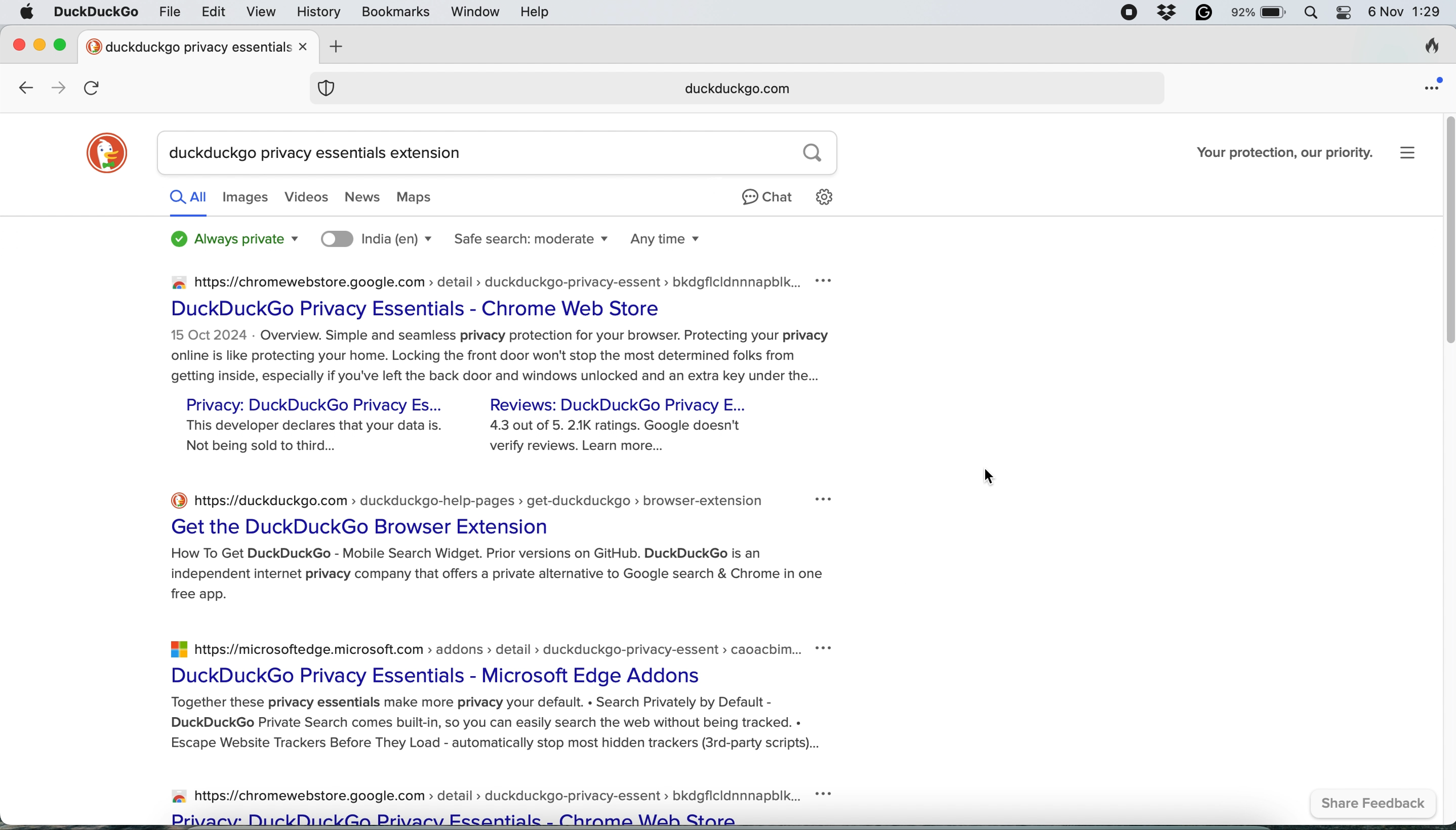 The image size is (1456, 830). I want to click on duckduckgo, so click(95, 13).